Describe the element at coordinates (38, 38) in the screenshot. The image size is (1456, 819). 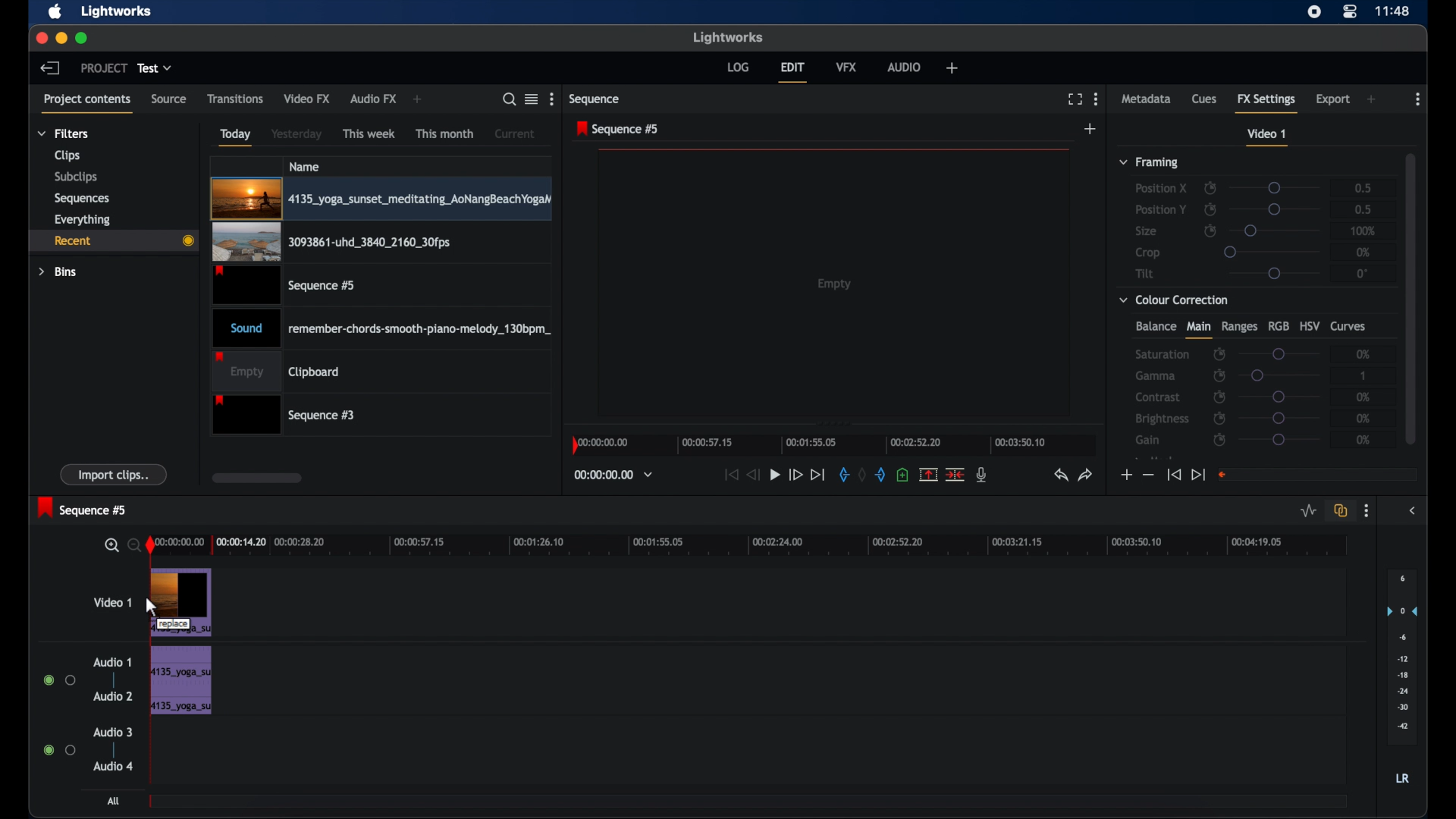
I see `close` at that location.